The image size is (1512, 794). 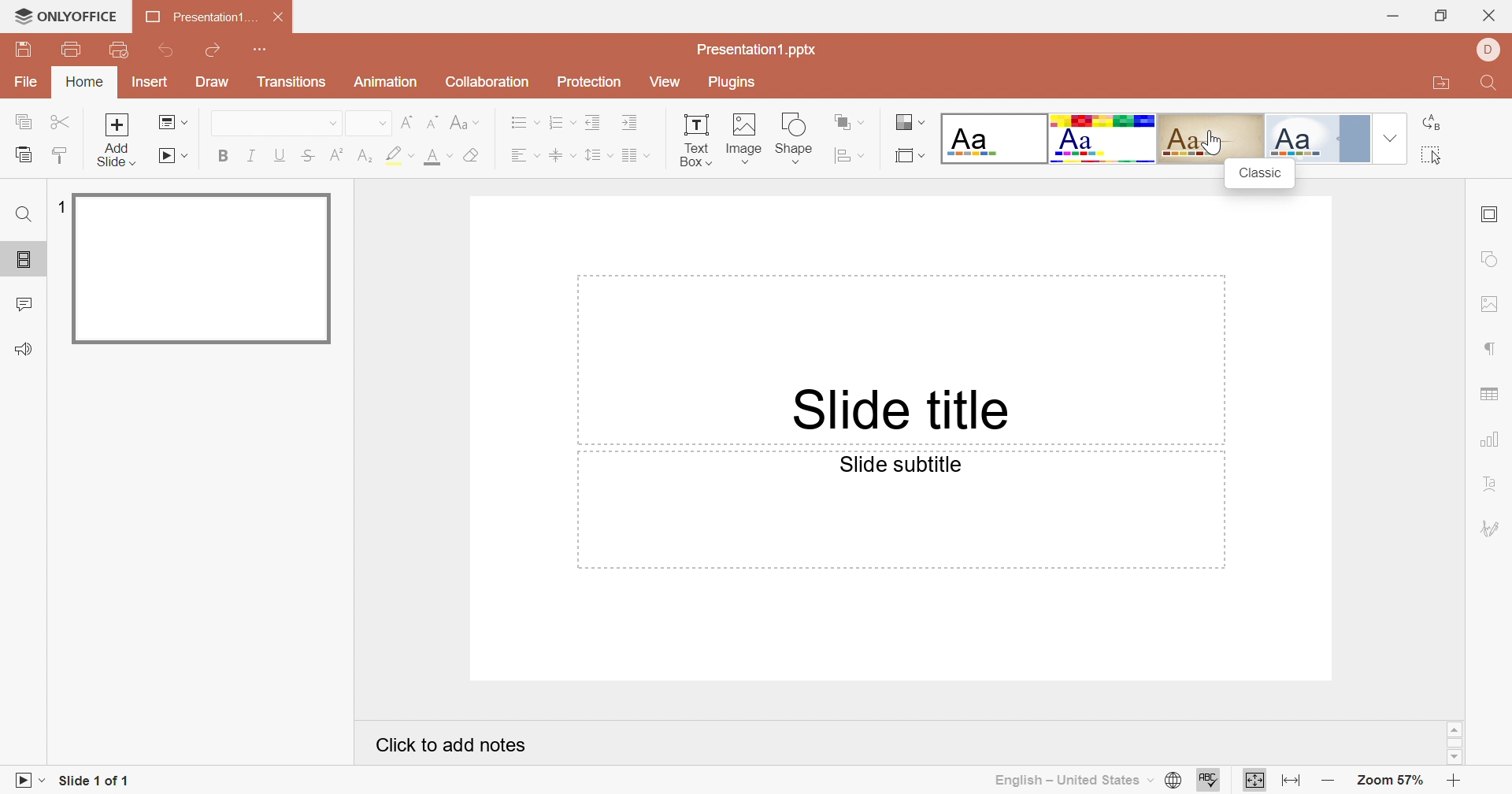 What do you see at coordinates (1455, 759) in the screenshot?
I see `Scroll Down` at bounding box center [1455, 759].